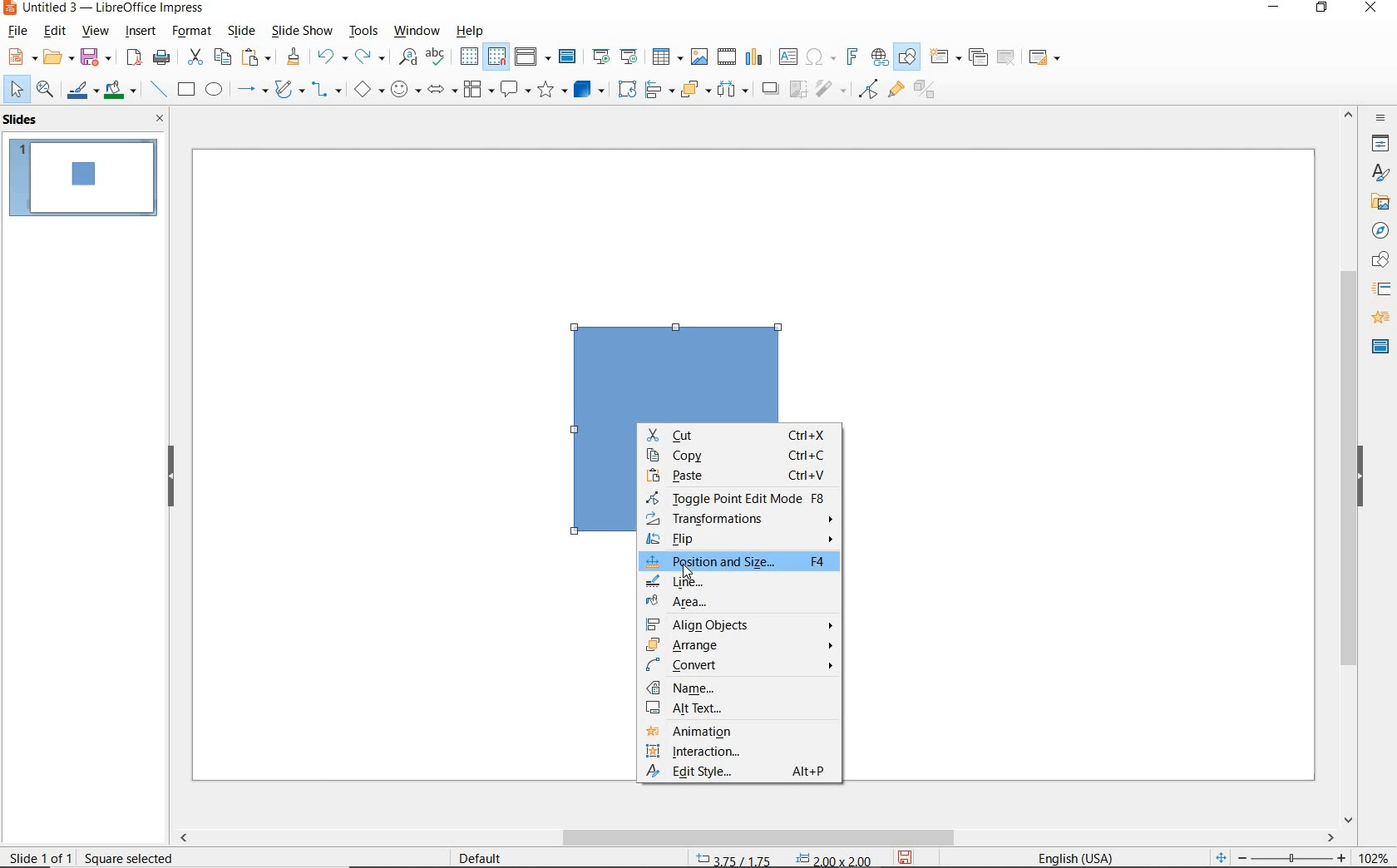  Describe the element at coordinates (852, 57) in the screenshot. I see `insert frontwork text` at that location.